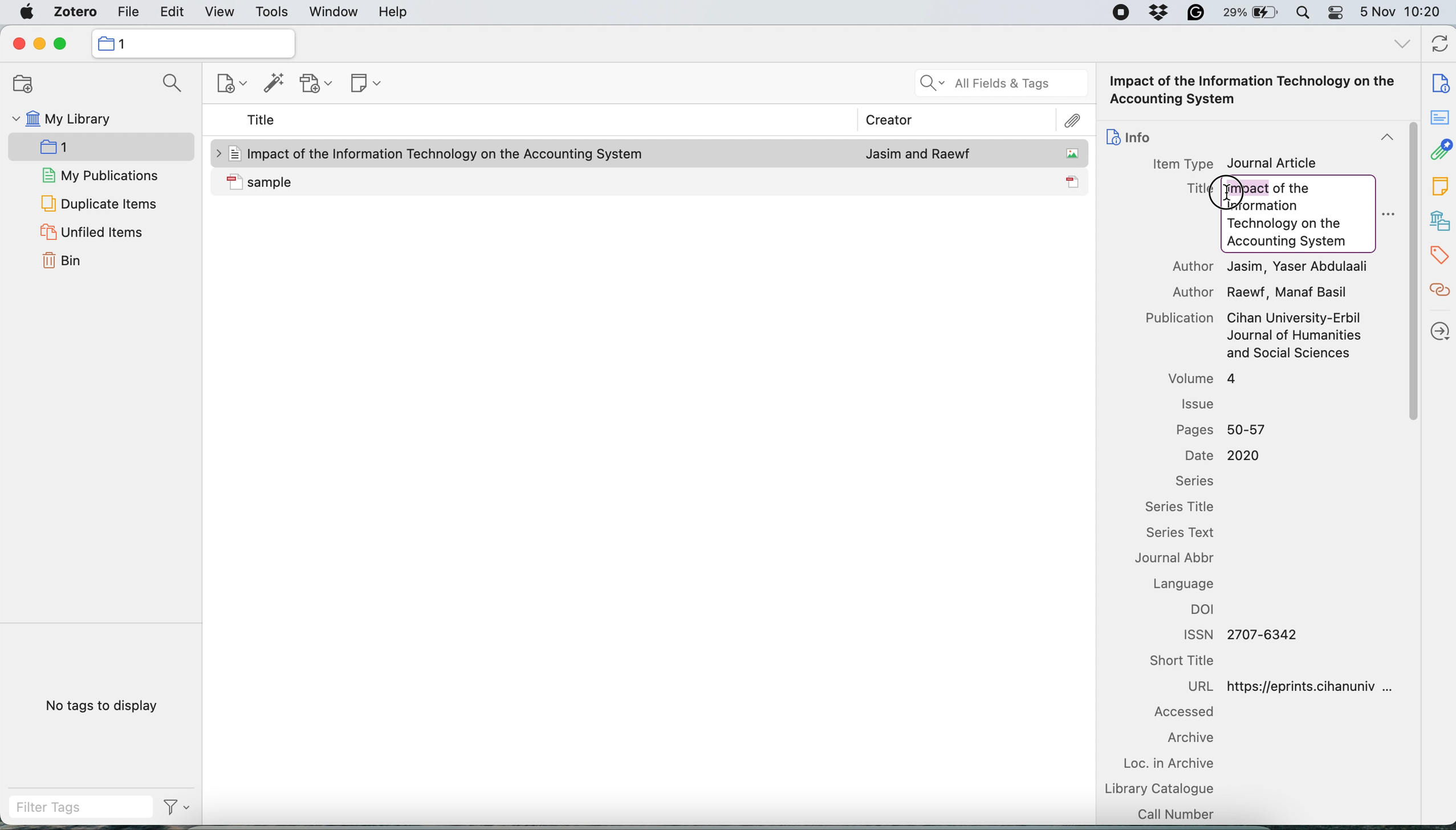 This screenshot has height=830, width=1456. Describe the element at coordinates (72, 13) in the screenshot. I see `zotero` at that location.